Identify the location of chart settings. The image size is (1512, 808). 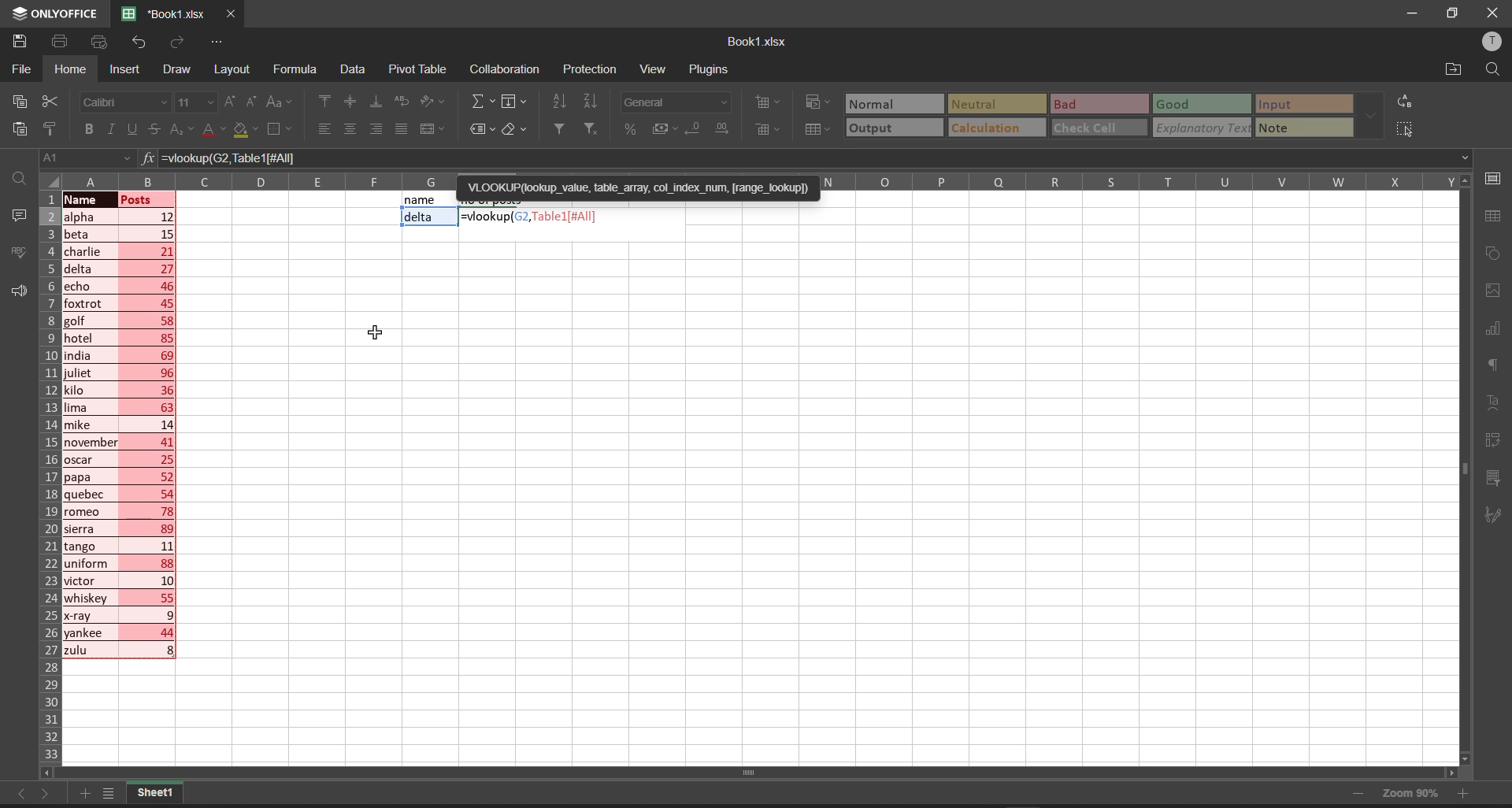
(1499, 329).